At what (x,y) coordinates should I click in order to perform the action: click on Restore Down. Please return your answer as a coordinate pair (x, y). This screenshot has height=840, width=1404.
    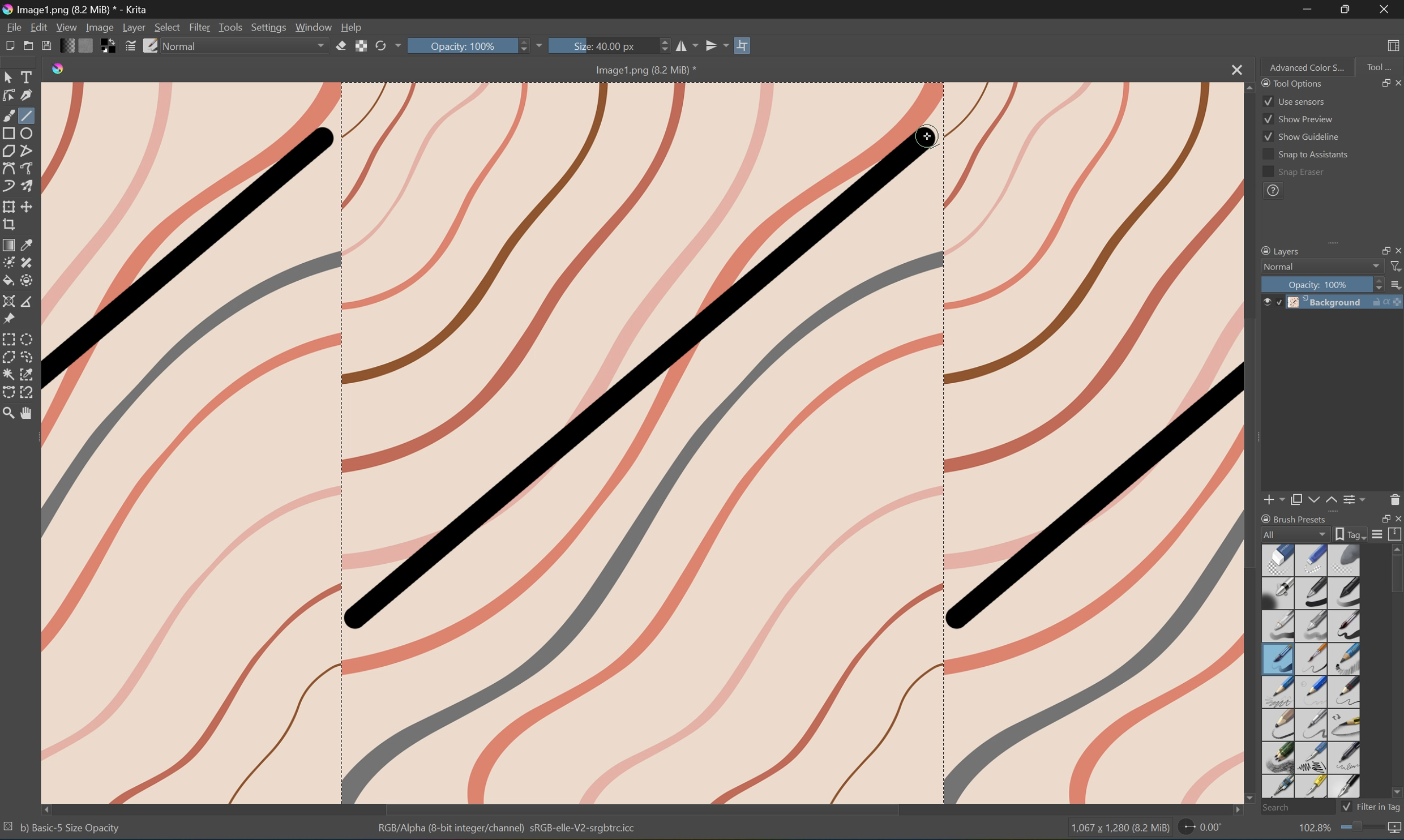
    Looking at the image, I should click on (1379, 83).